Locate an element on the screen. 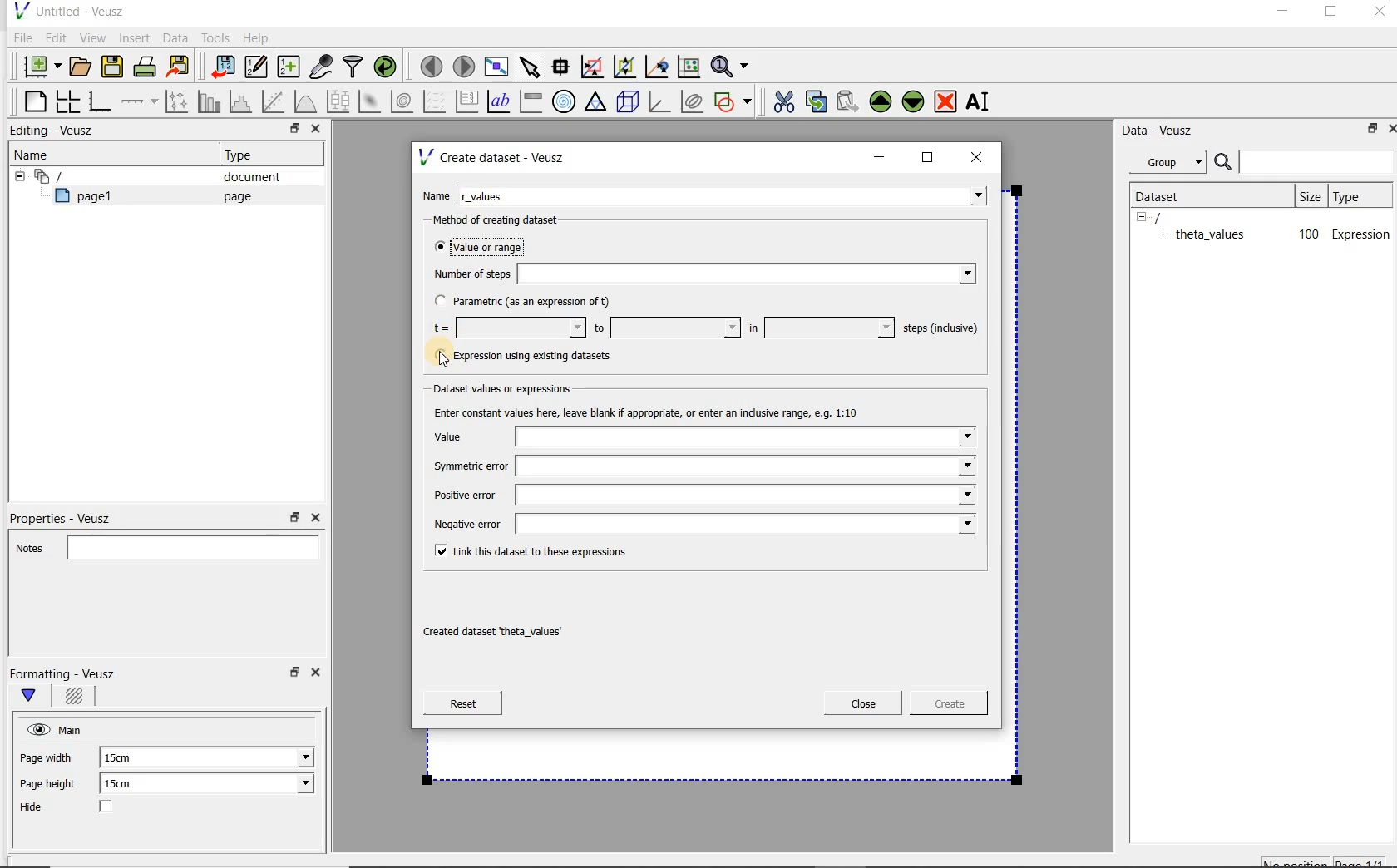 Image resolution: width=1397 pixels, height=868 pixels. Reset is located at coordinates (462, 703).